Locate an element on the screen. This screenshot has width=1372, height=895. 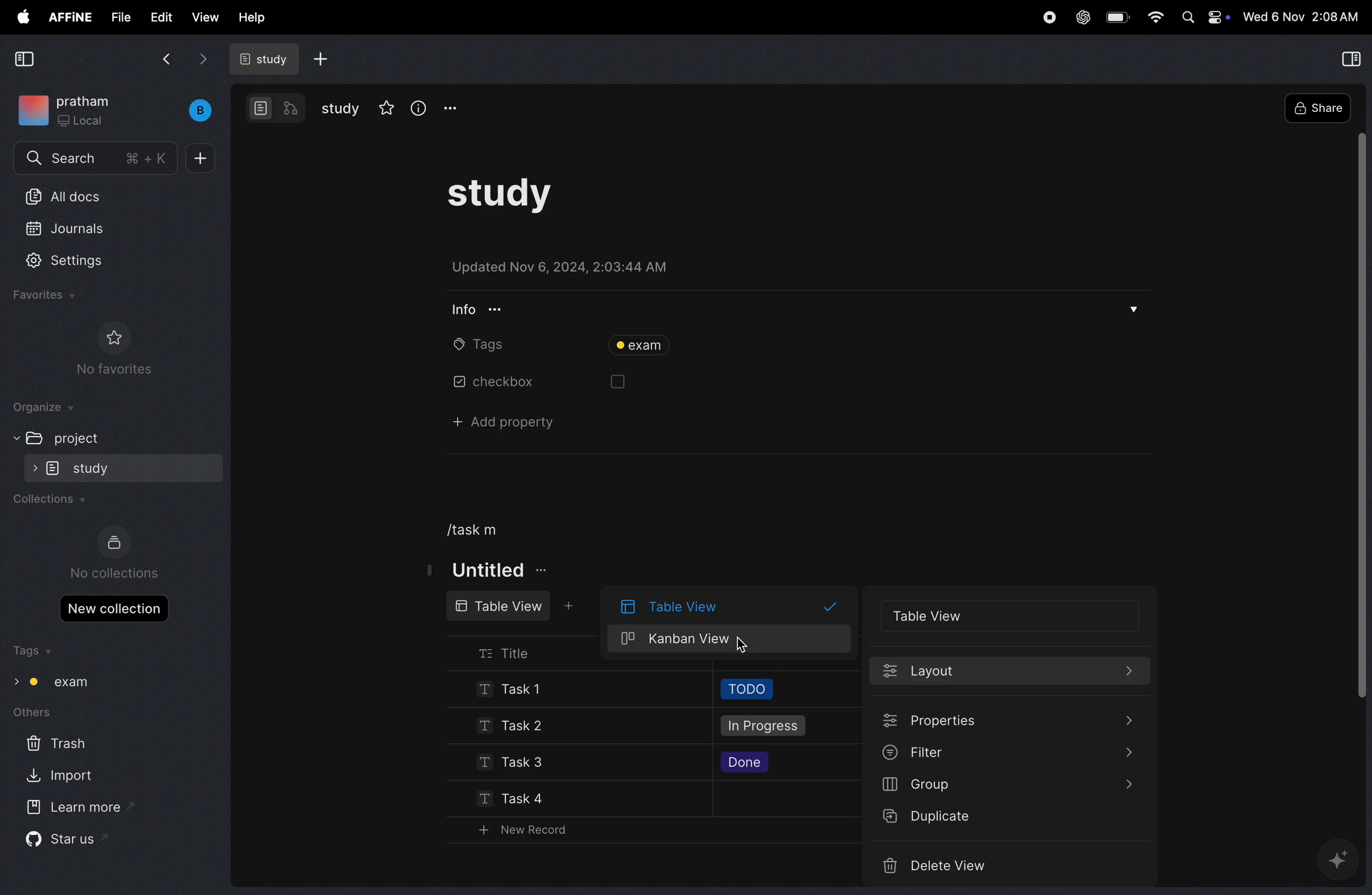
in progress is located at coordinates (760, 728).